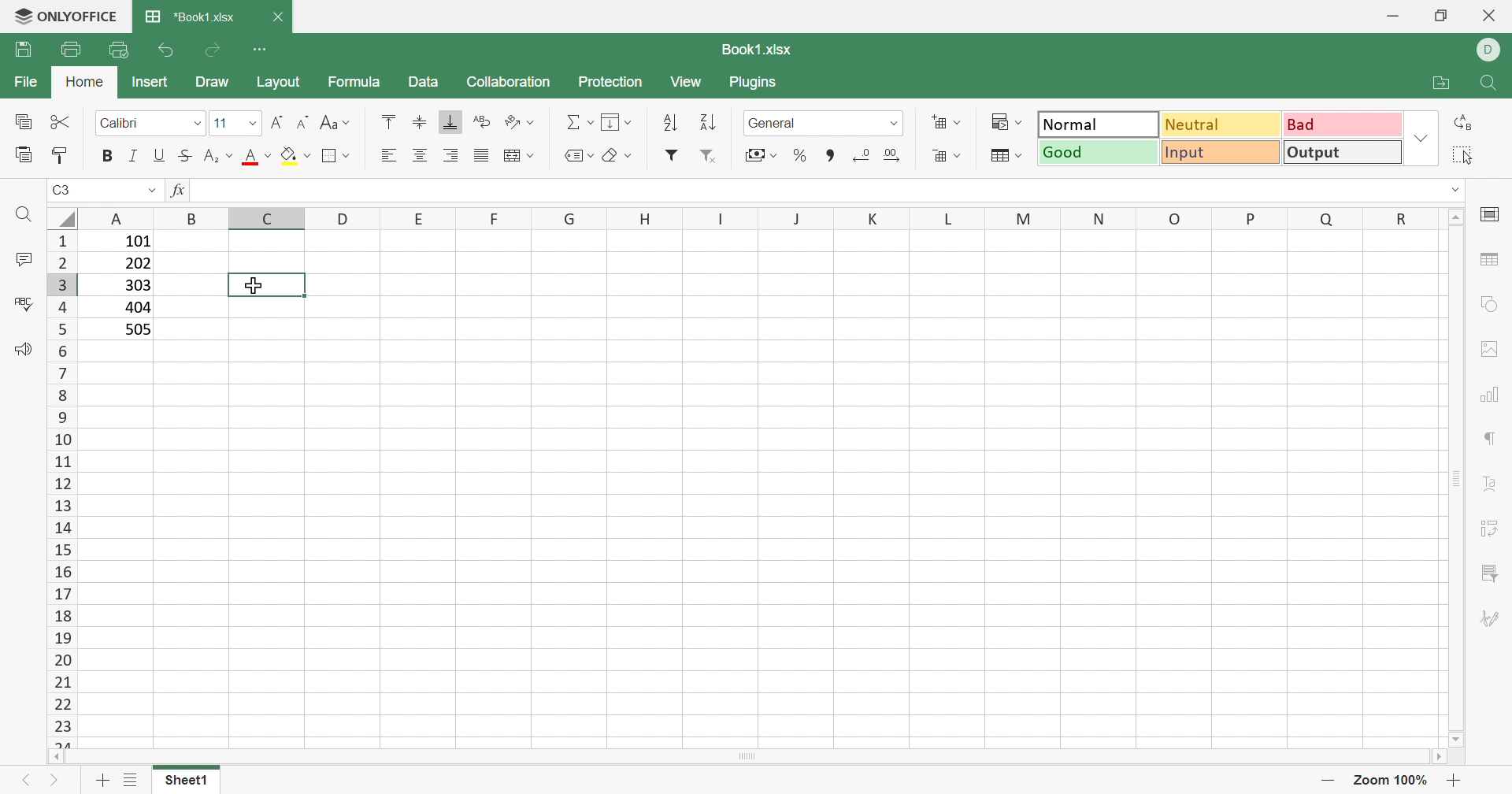  Describe the element at coordinates (191, 19) in the screenshot. I see `*Book1.xlsx` at that location.